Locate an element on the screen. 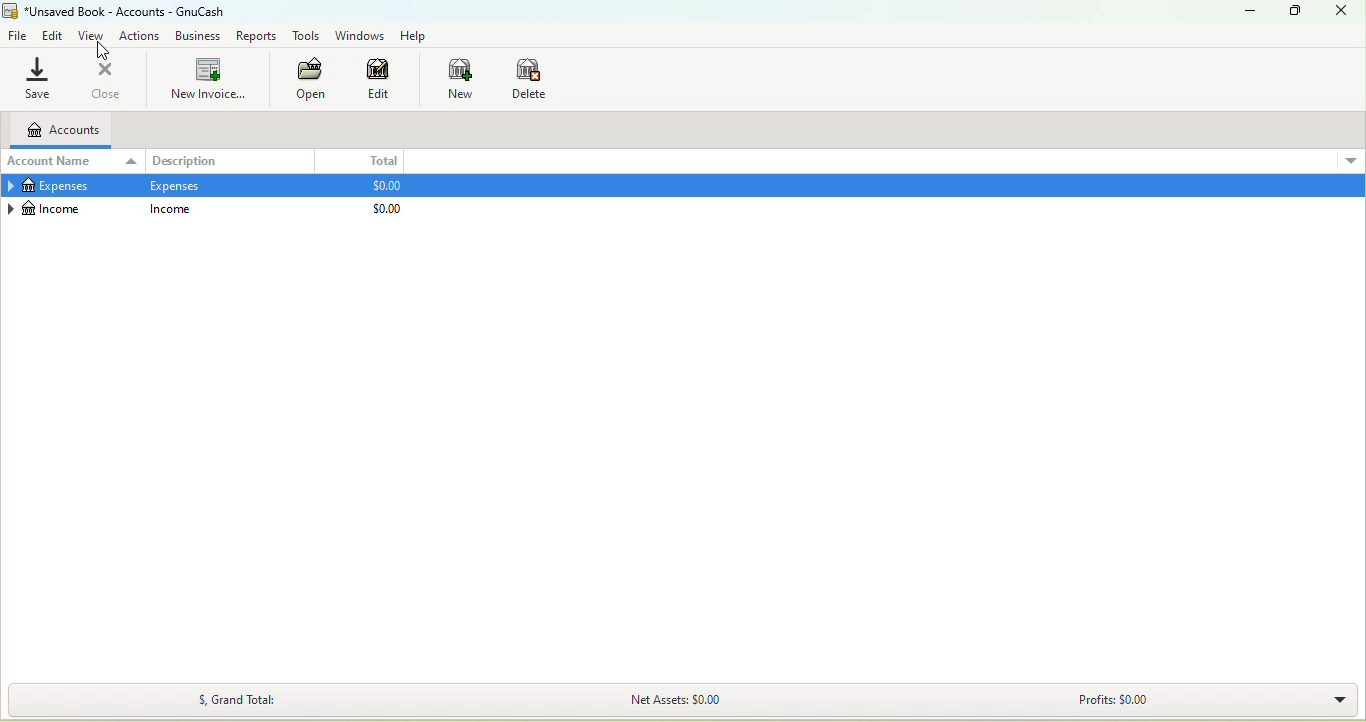 The width and height of the screenshot is (1366, 722). $0.00 is located at coordinates (384, 186).